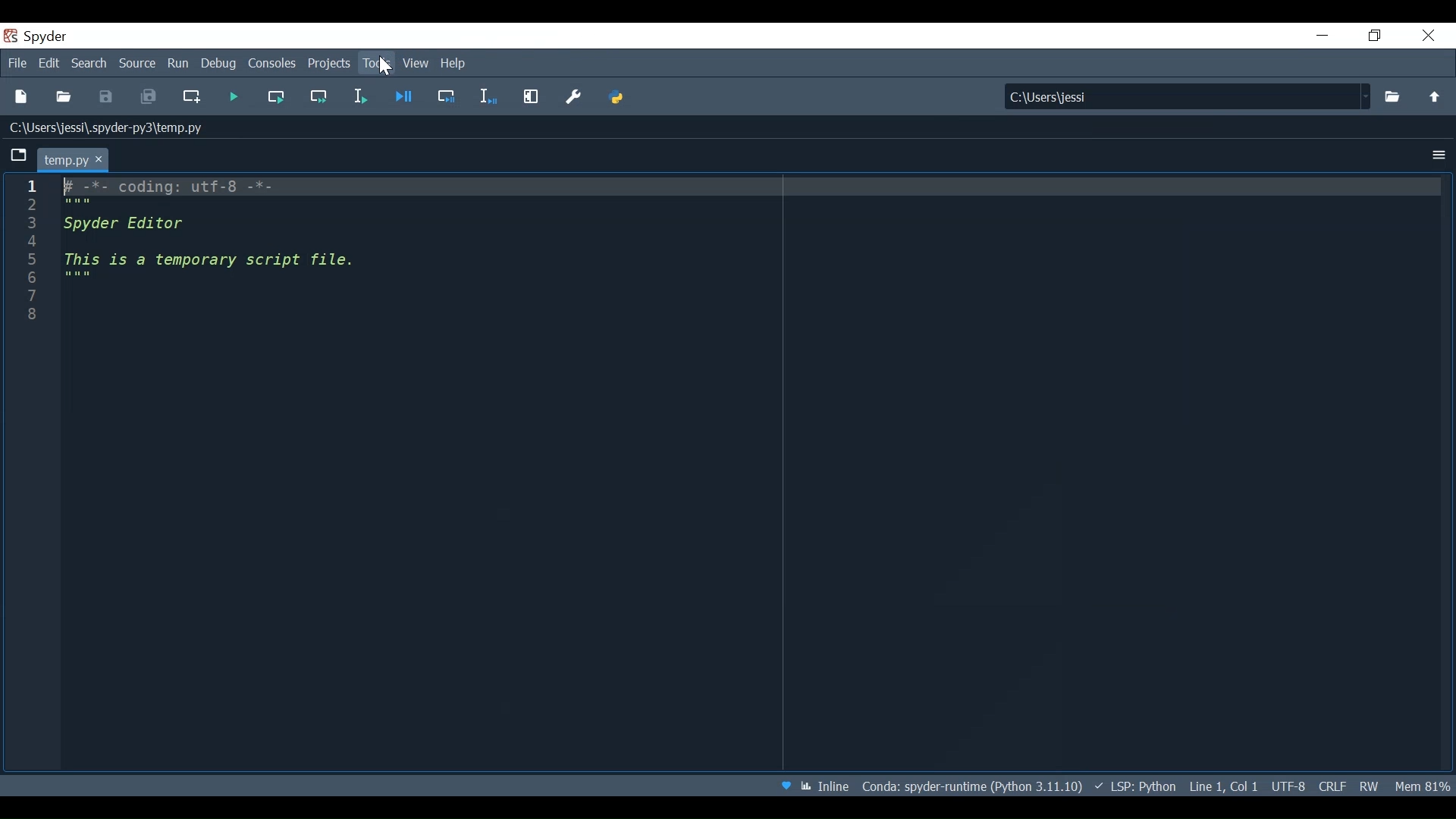  I want to click on Spyder Desktop Icon, so click(36, 37).